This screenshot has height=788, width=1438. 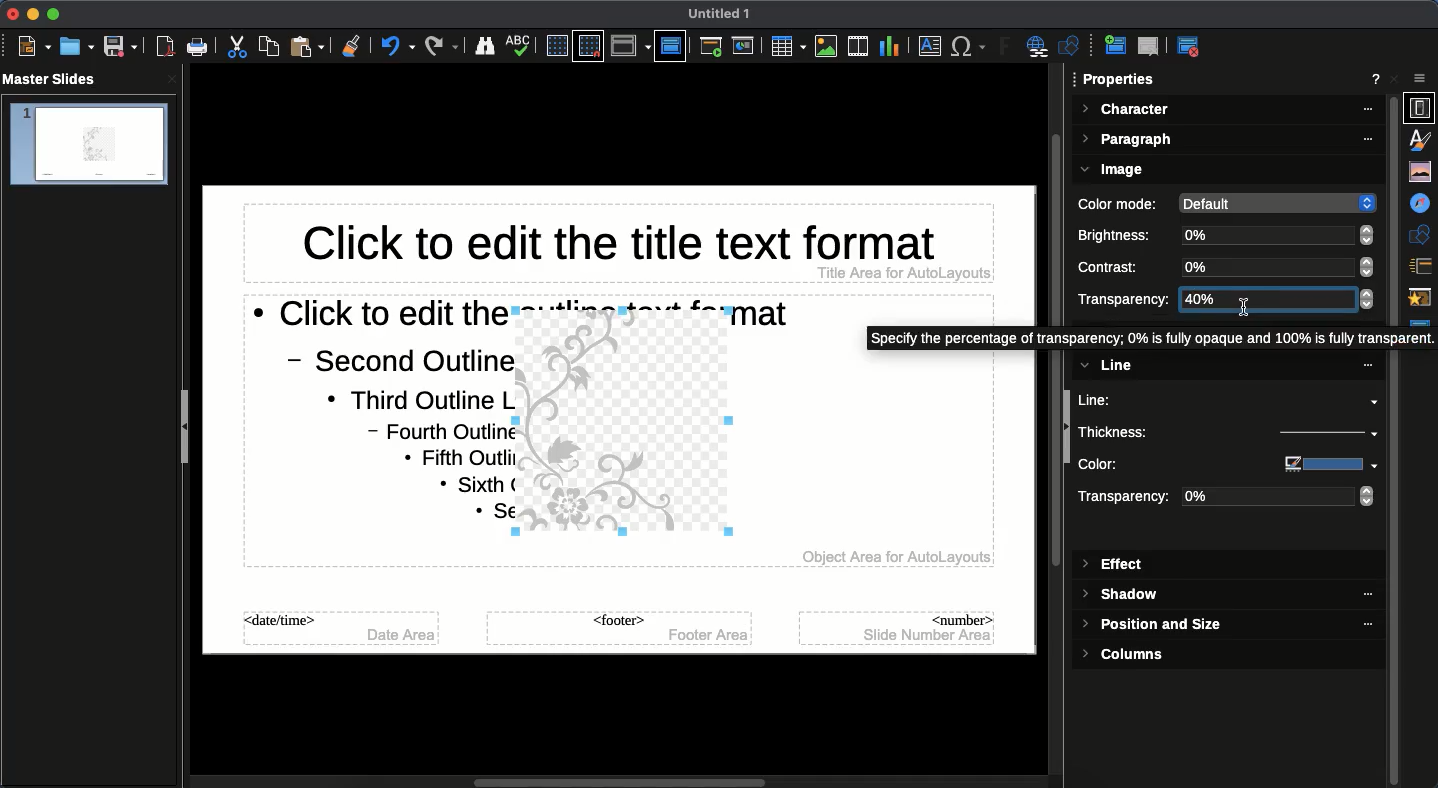 What do you see at coordinates (1229, 141) in the screenshot?
I see `Paragraph` at bounding box center [1229, 141].